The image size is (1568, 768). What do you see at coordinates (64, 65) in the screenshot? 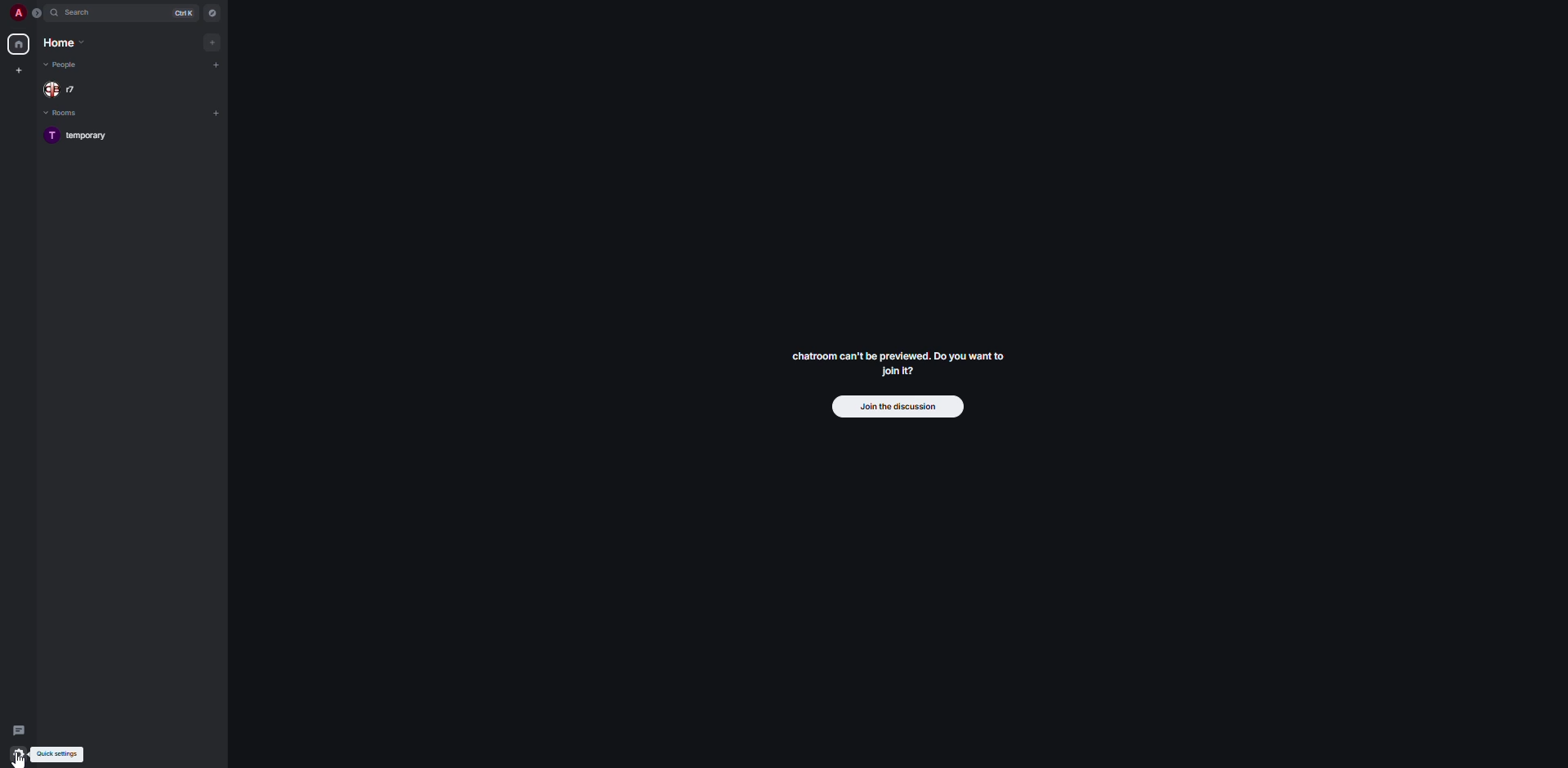
I see `people` at bounding box center [64, 65].